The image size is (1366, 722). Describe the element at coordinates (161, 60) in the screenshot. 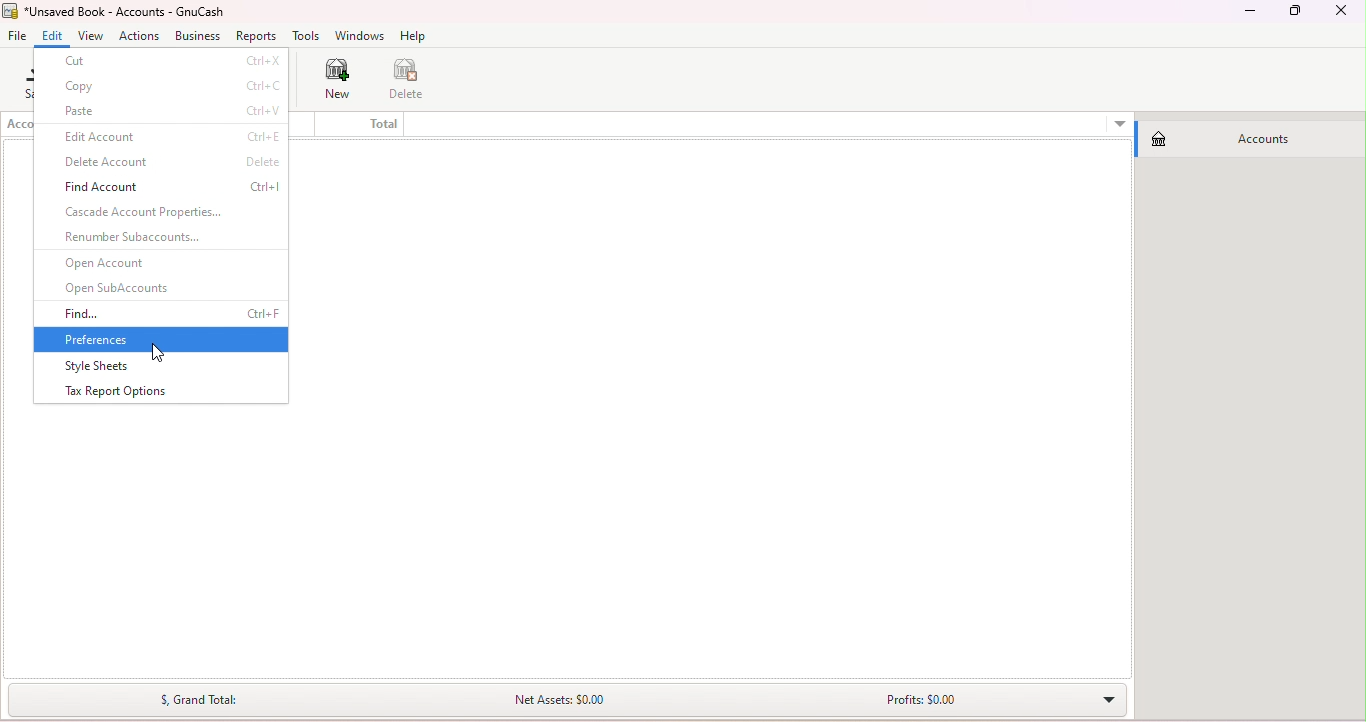

I see `Cut` at that location.